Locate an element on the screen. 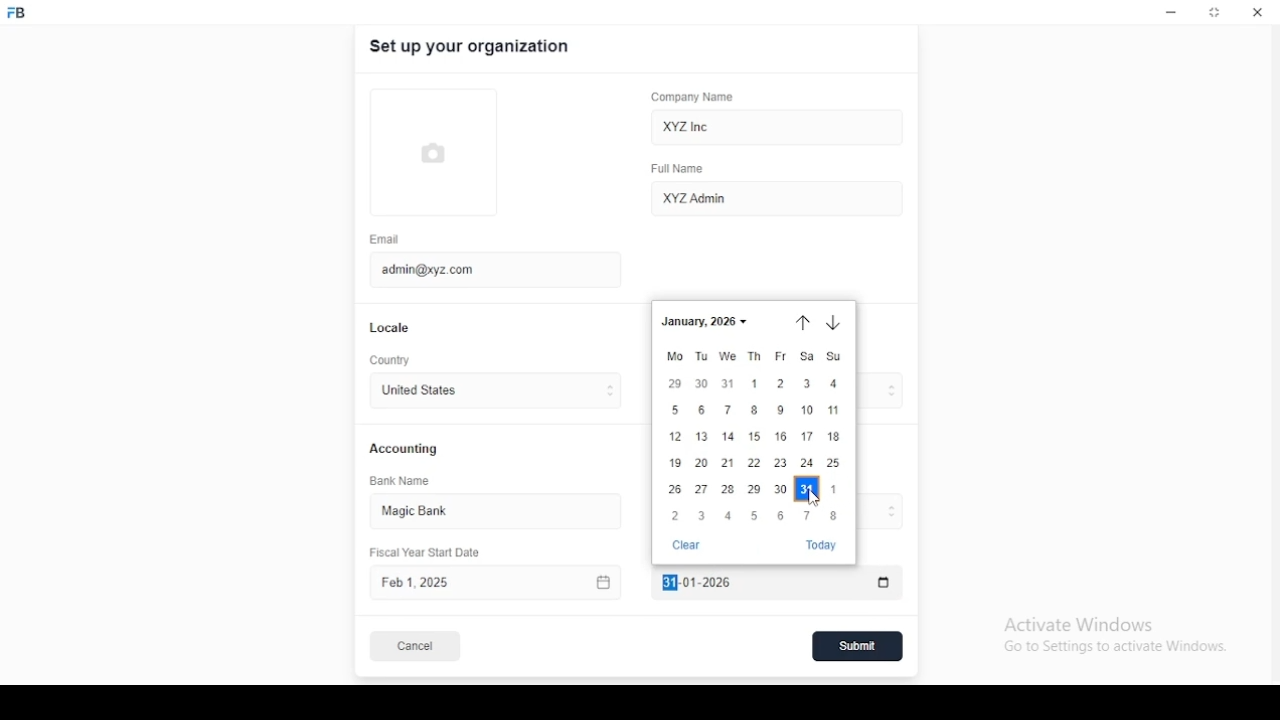 Image resolution: width=1280 pixels, height=720 pixels. 14 is located at coordinates (730, 438).